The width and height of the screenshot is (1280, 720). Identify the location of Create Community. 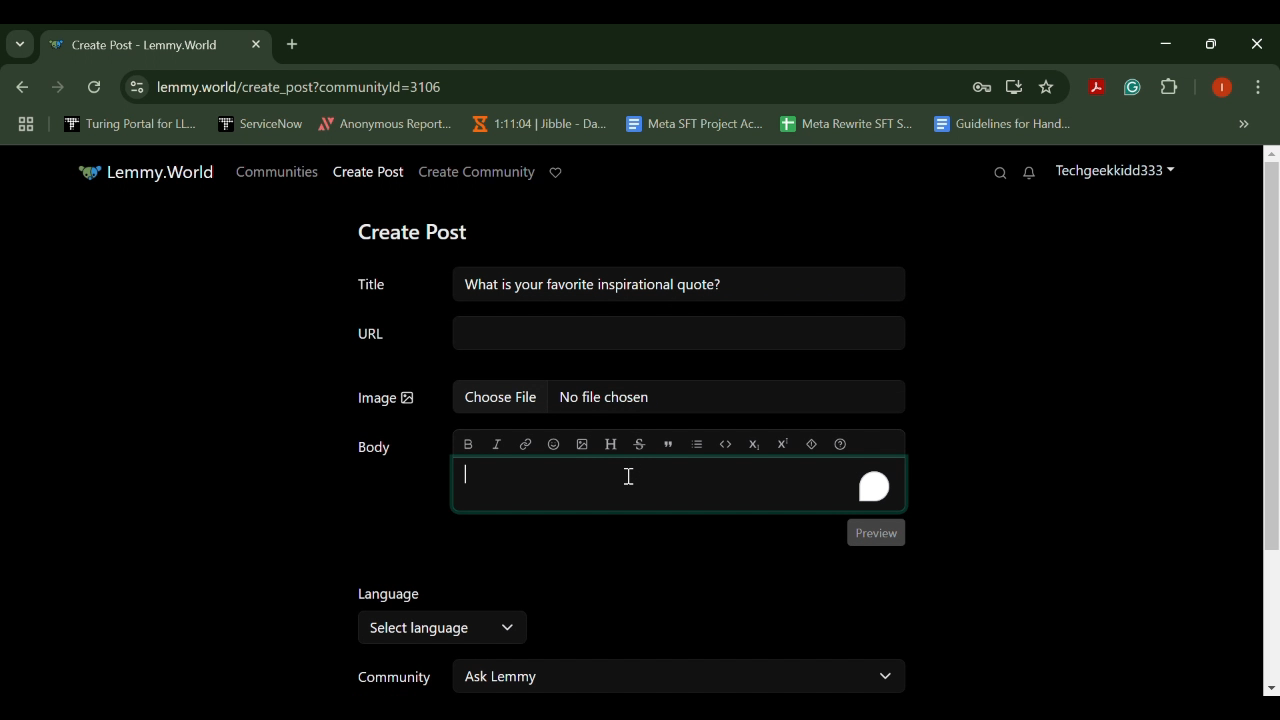
(475, 172).